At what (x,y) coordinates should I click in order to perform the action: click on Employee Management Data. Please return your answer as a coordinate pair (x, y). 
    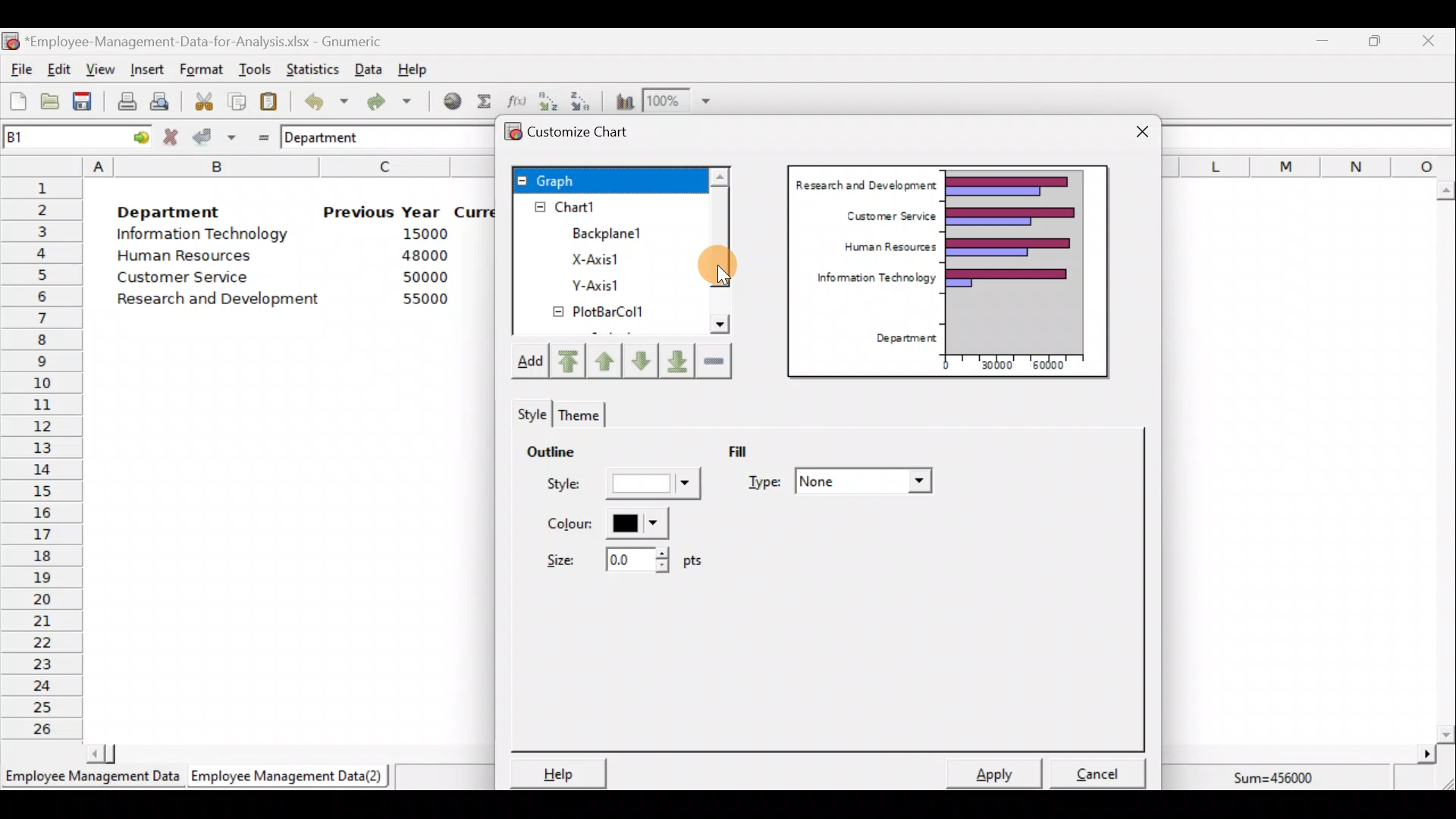
    Looking at the image, I should click on (91, 781).